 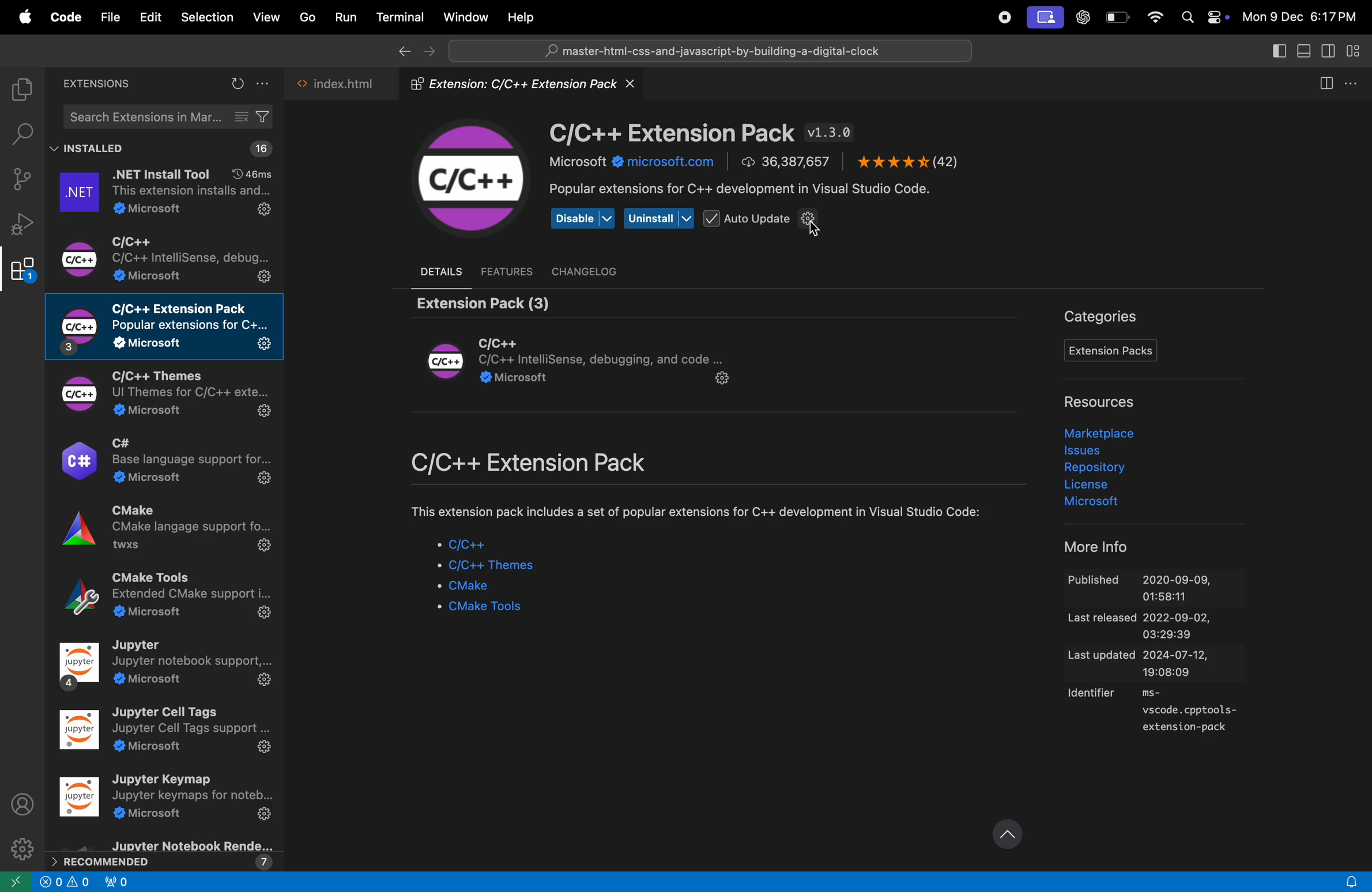 What do you see at coordinates (1098, 485) in the screenshot?
I see `liscence` at bounding box center [1098, 485].